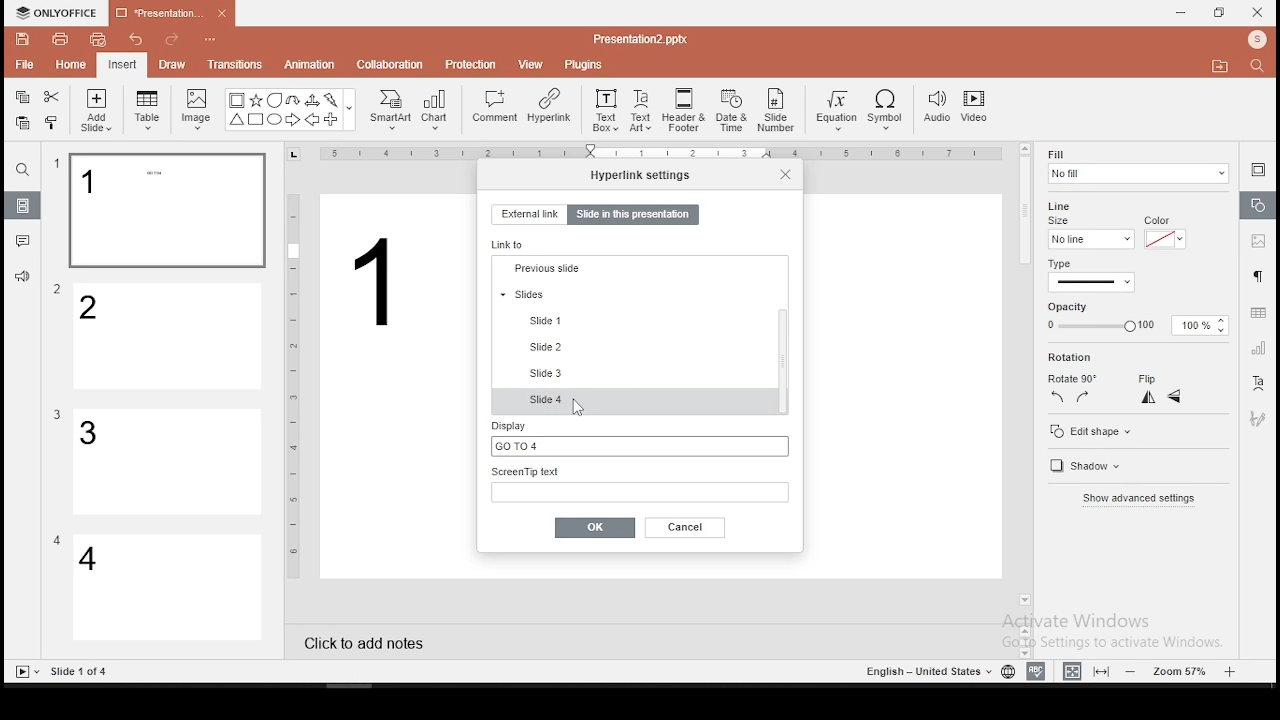 The image size is (1280, 720). I want to click on , so click(665, 155).